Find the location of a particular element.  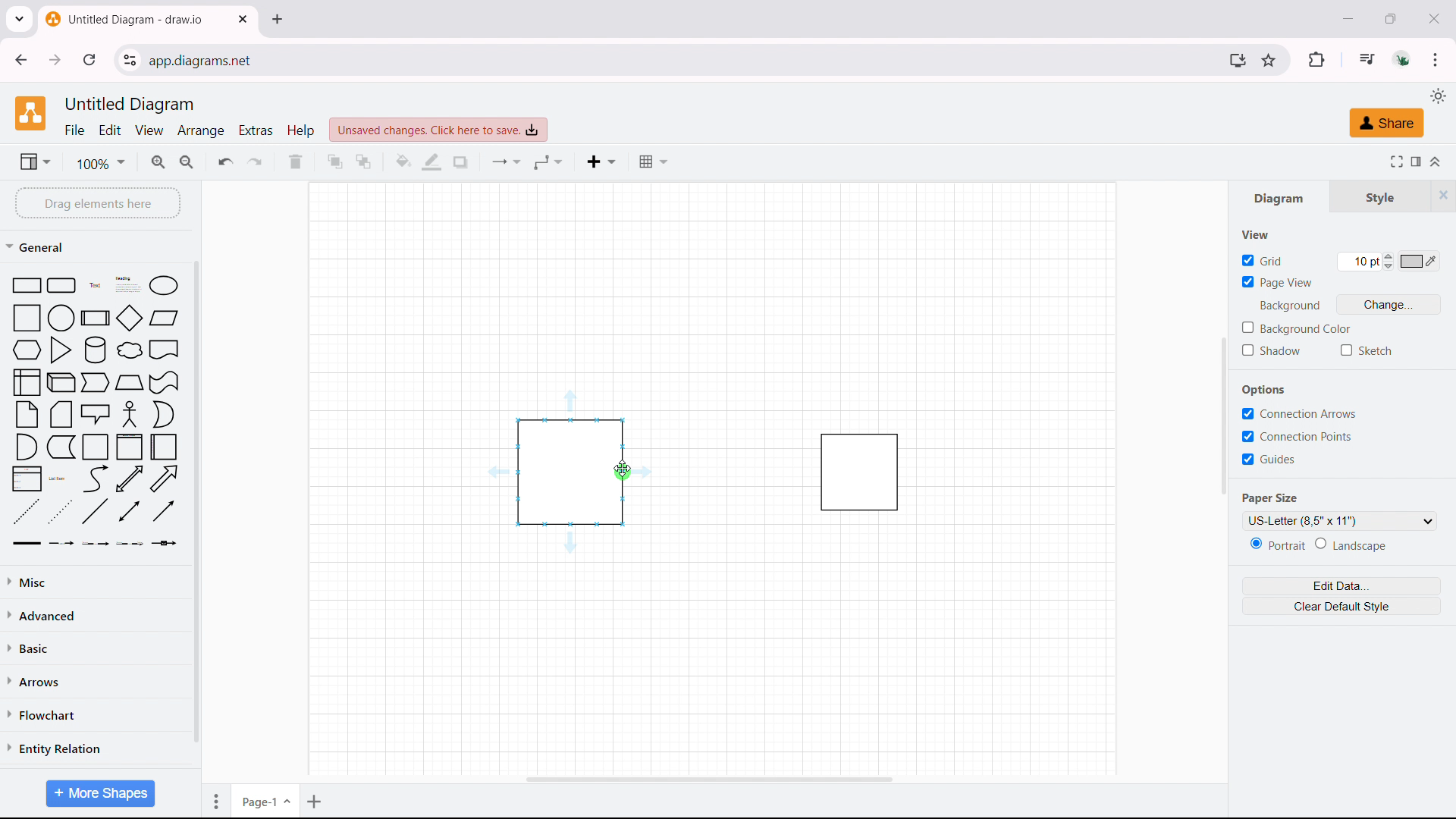

page view toggle is located at coordinates (1277, 281).